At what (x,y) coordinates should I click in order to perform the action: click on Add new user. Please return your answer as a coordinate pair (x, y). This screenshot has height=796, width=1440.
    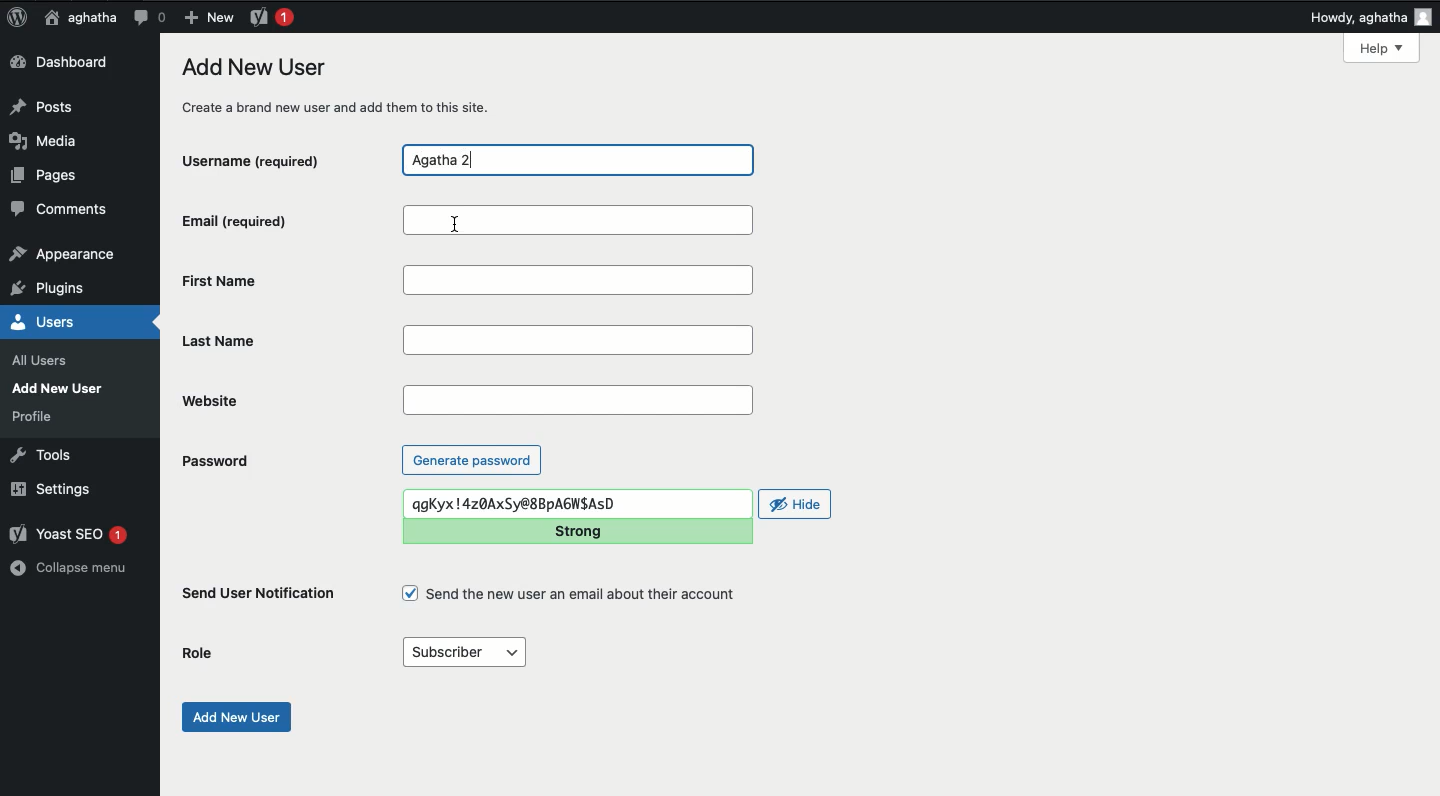
    Looking at the image, I should click on (234, 717).